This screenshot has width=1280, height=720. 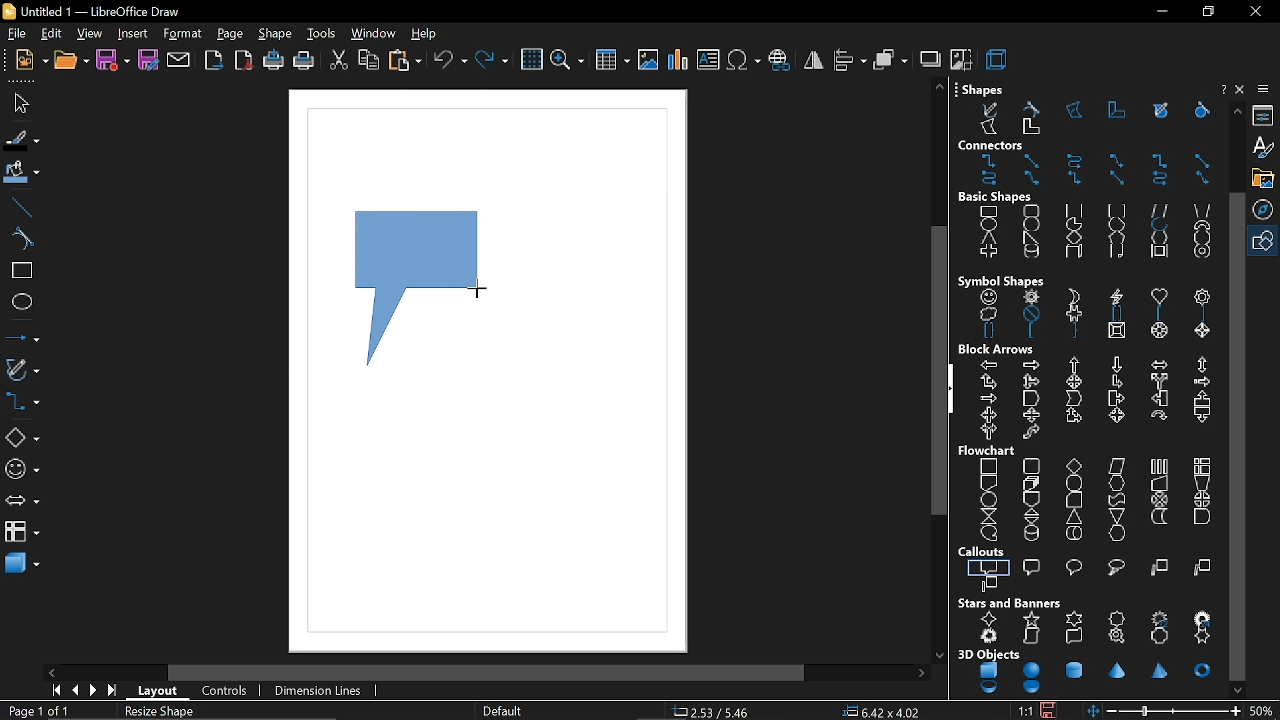 I want to click on sun, so click(x=1032, y=297).